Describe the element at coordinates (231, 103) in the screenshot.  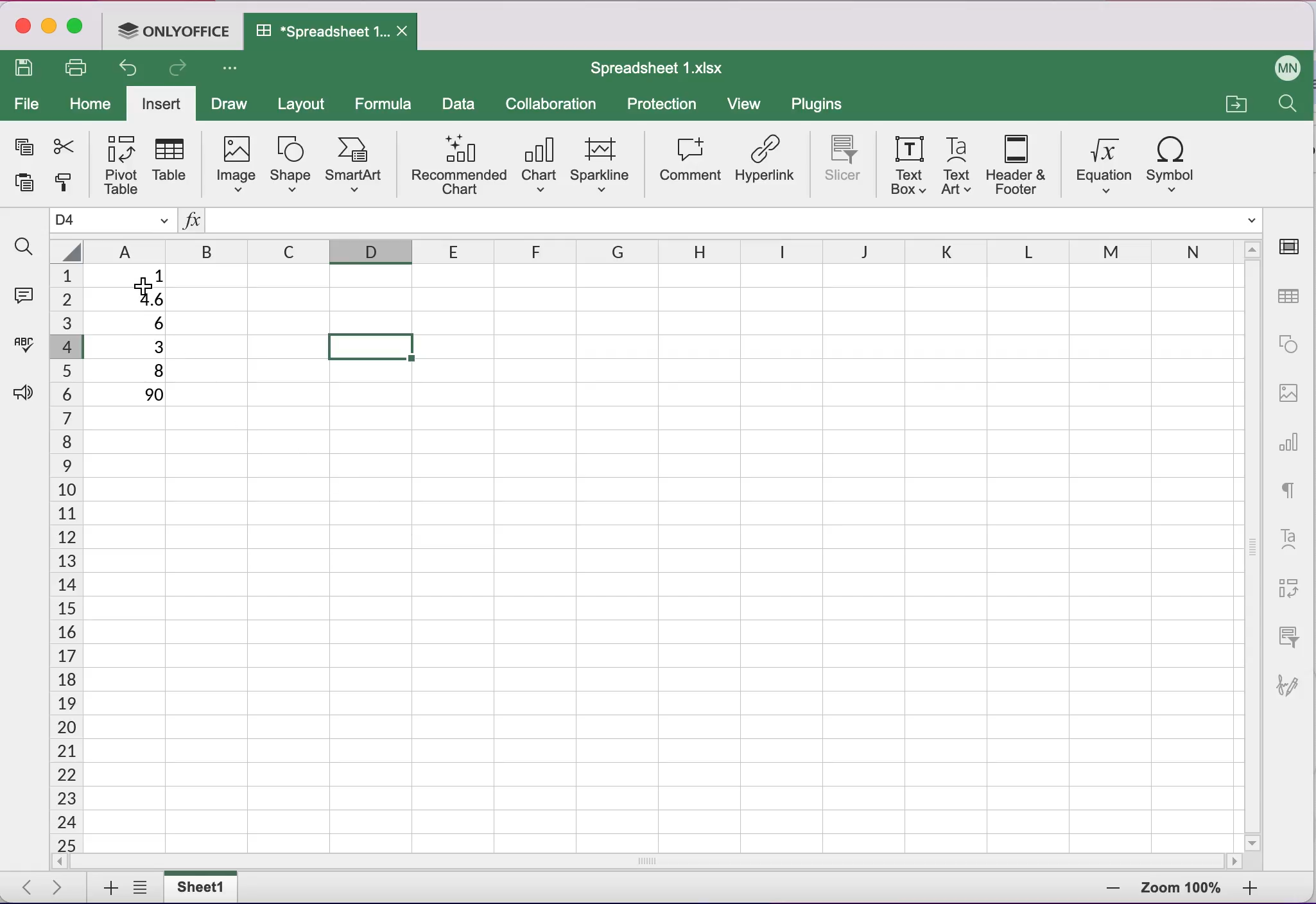
I see `draw` at that location.